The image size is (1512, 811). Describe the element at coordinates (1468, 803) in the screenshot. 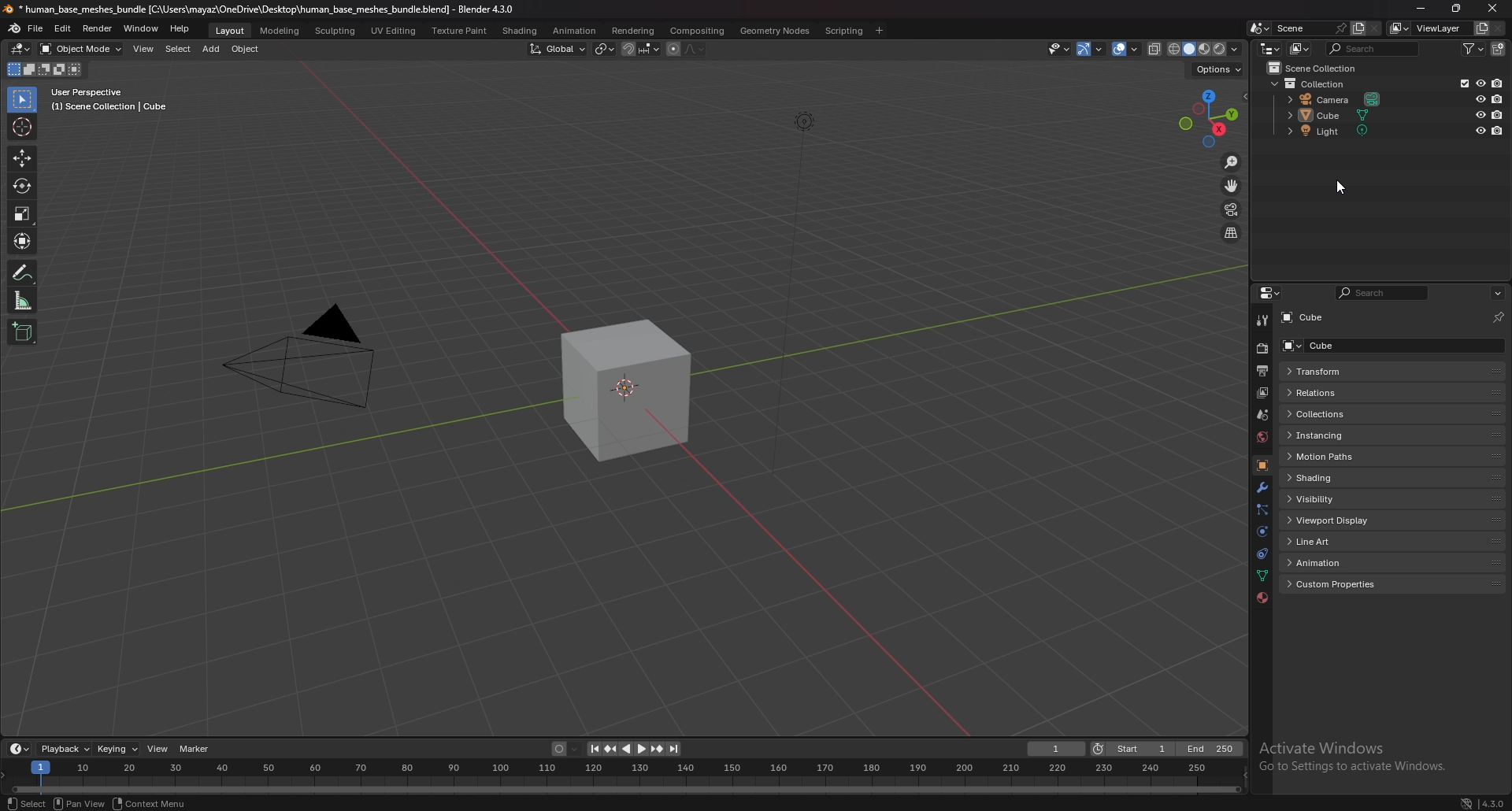

I see `network` at that location.